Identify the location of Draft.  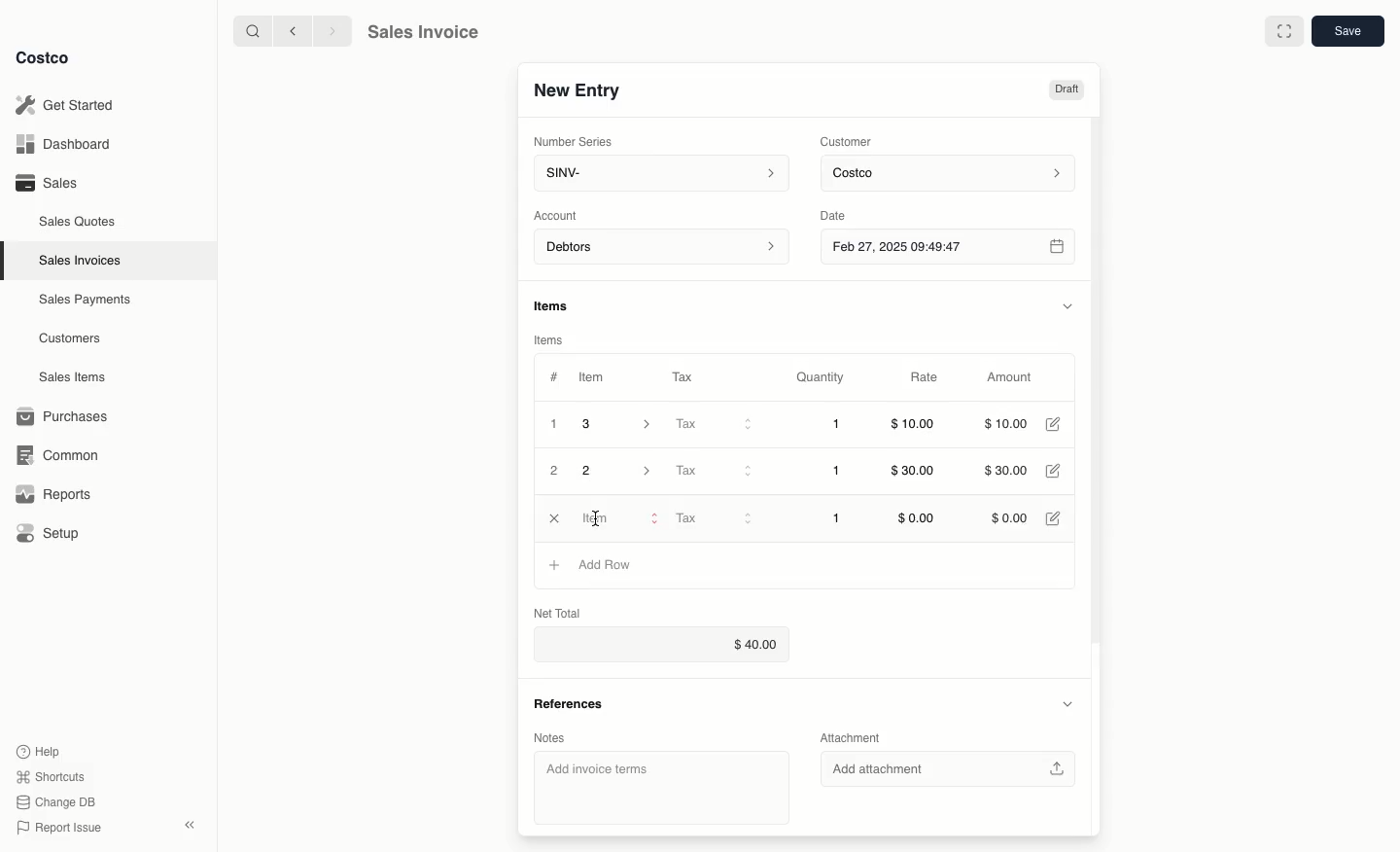
(1067, 90).